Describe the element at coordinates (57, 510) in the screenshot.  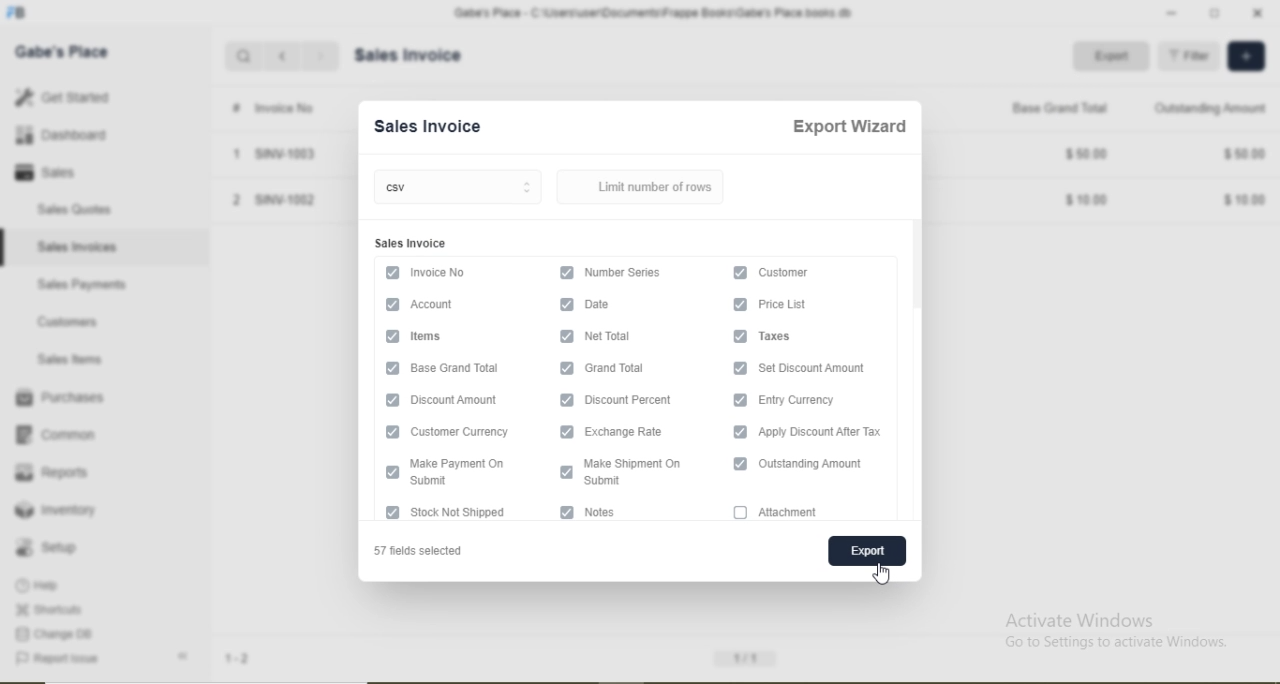
I see `Inventory` at that location.